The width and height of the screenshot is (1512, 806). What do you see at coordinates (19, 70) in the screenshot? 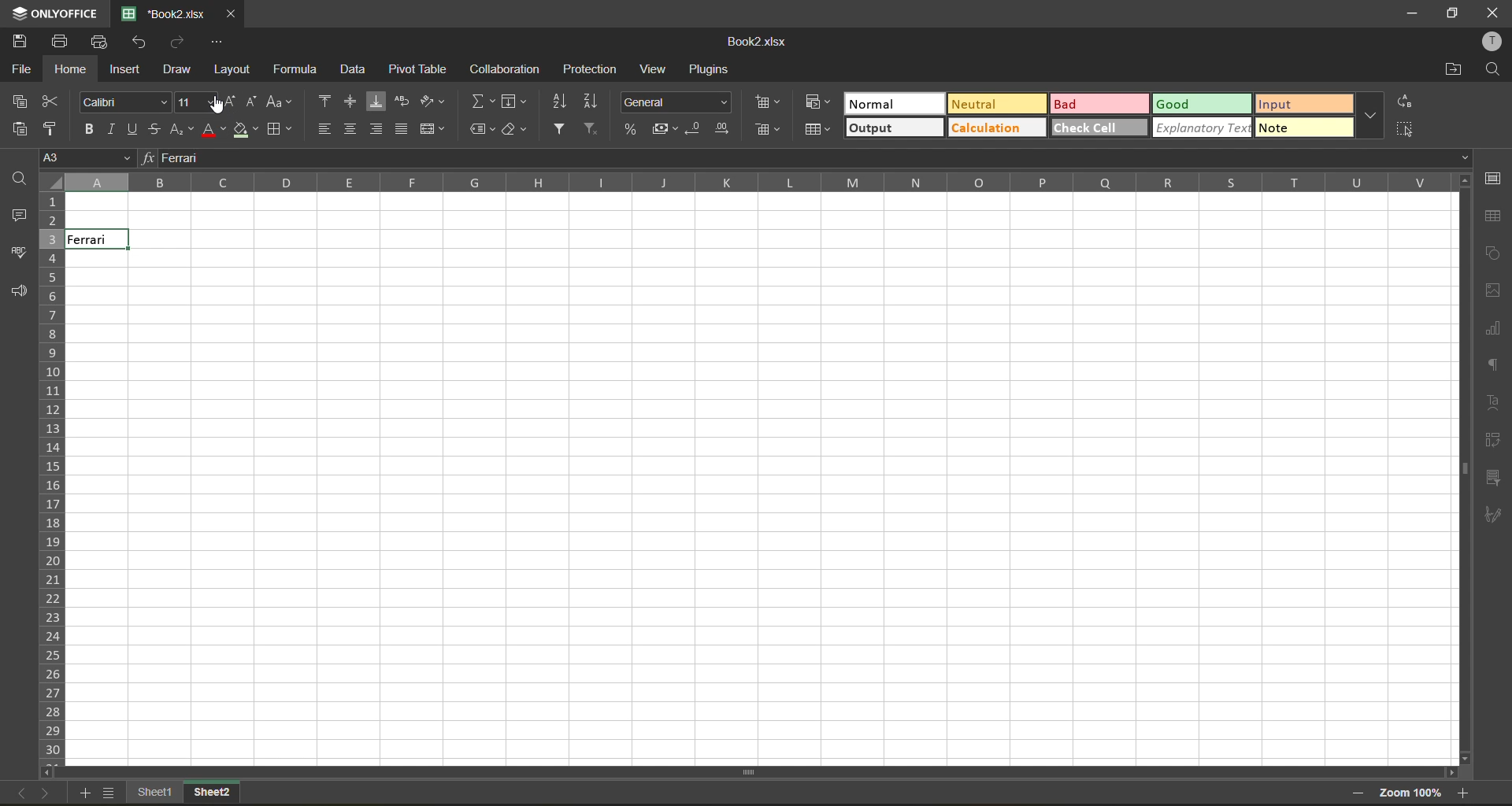
I see `file` at bounding box center [19, 70].